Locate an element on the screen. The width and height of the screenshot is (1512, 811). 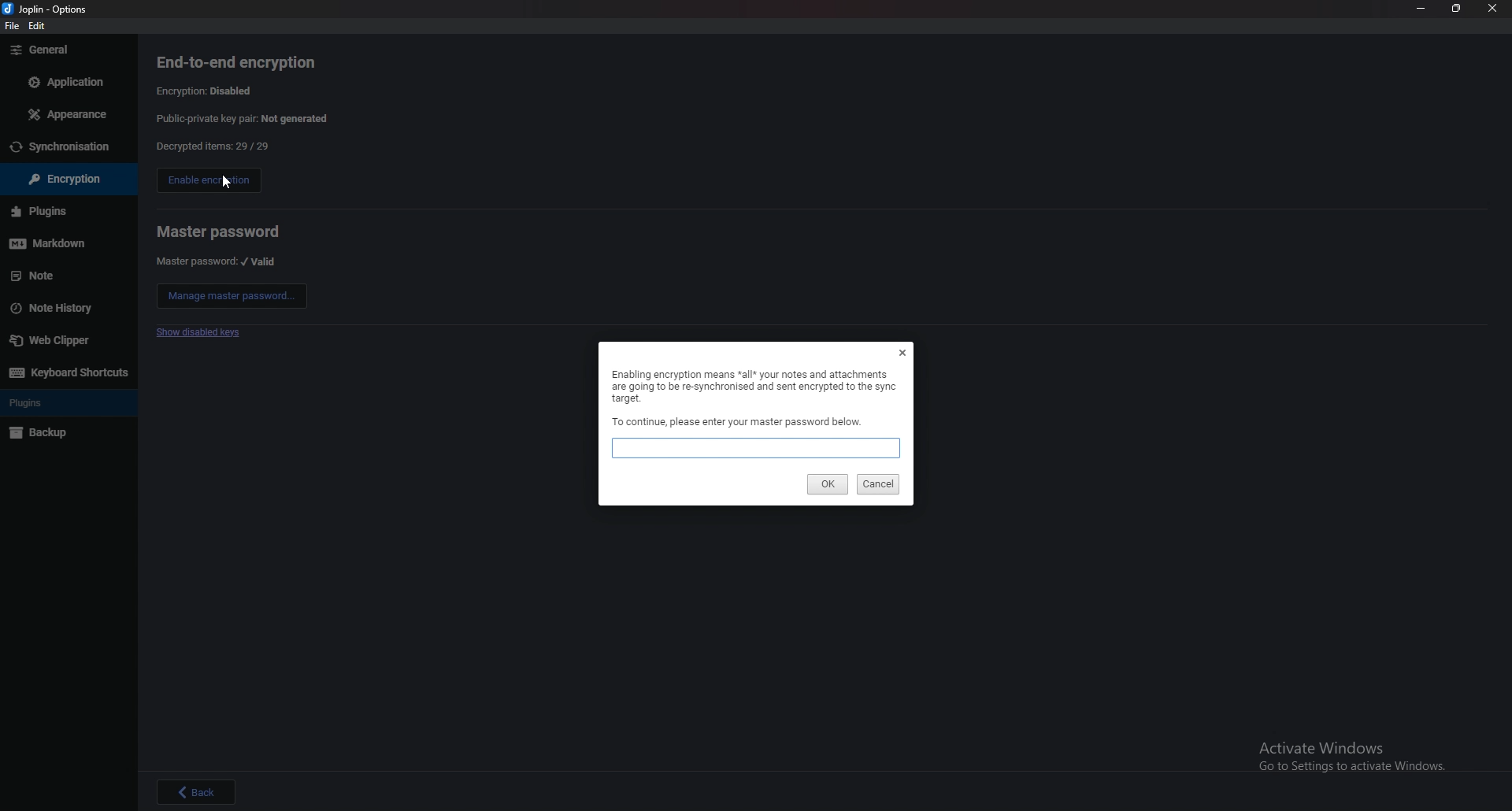
 is located at coordinates (58, 147).